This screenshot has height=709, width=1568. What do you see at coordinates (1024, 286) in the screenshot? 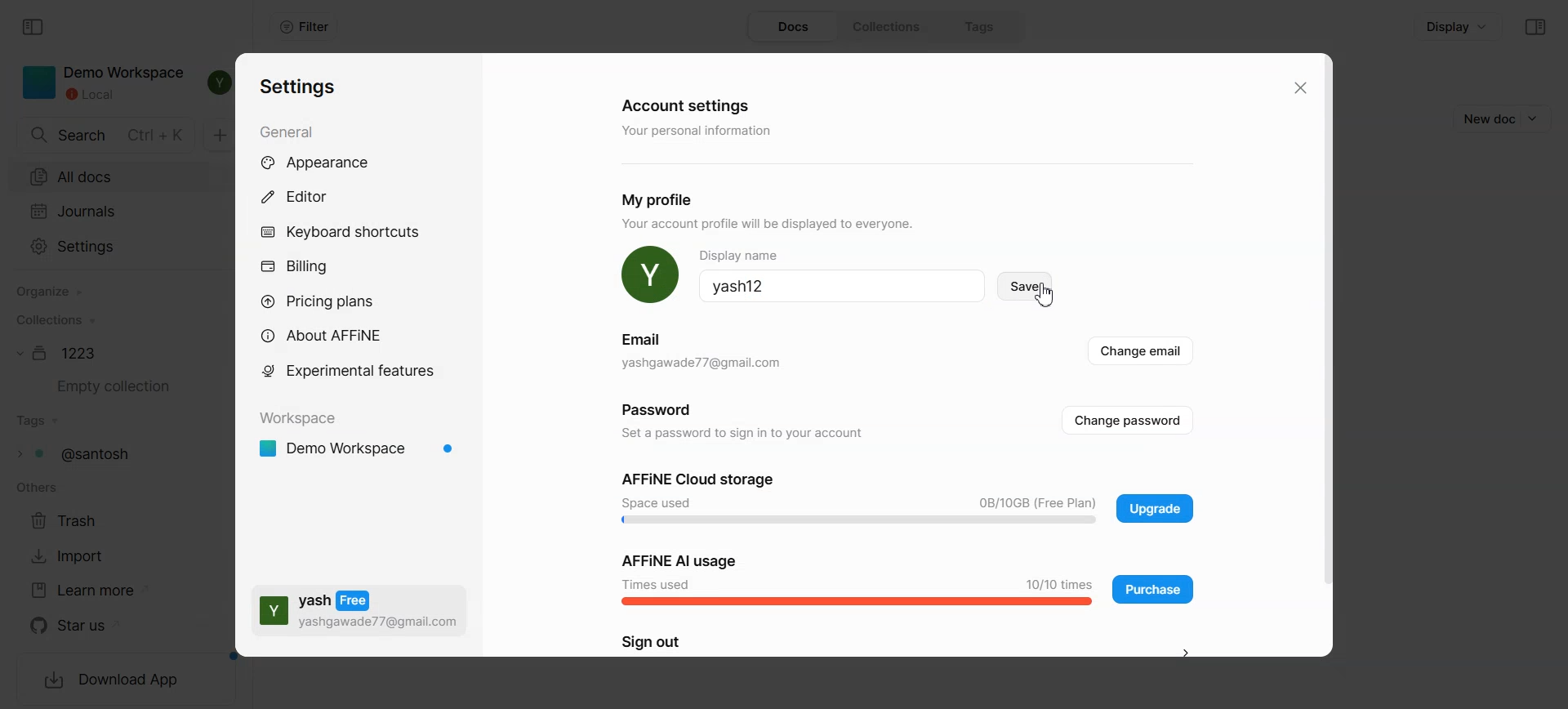
I see ` cursor on Save` at bounding box center [1024, 286].